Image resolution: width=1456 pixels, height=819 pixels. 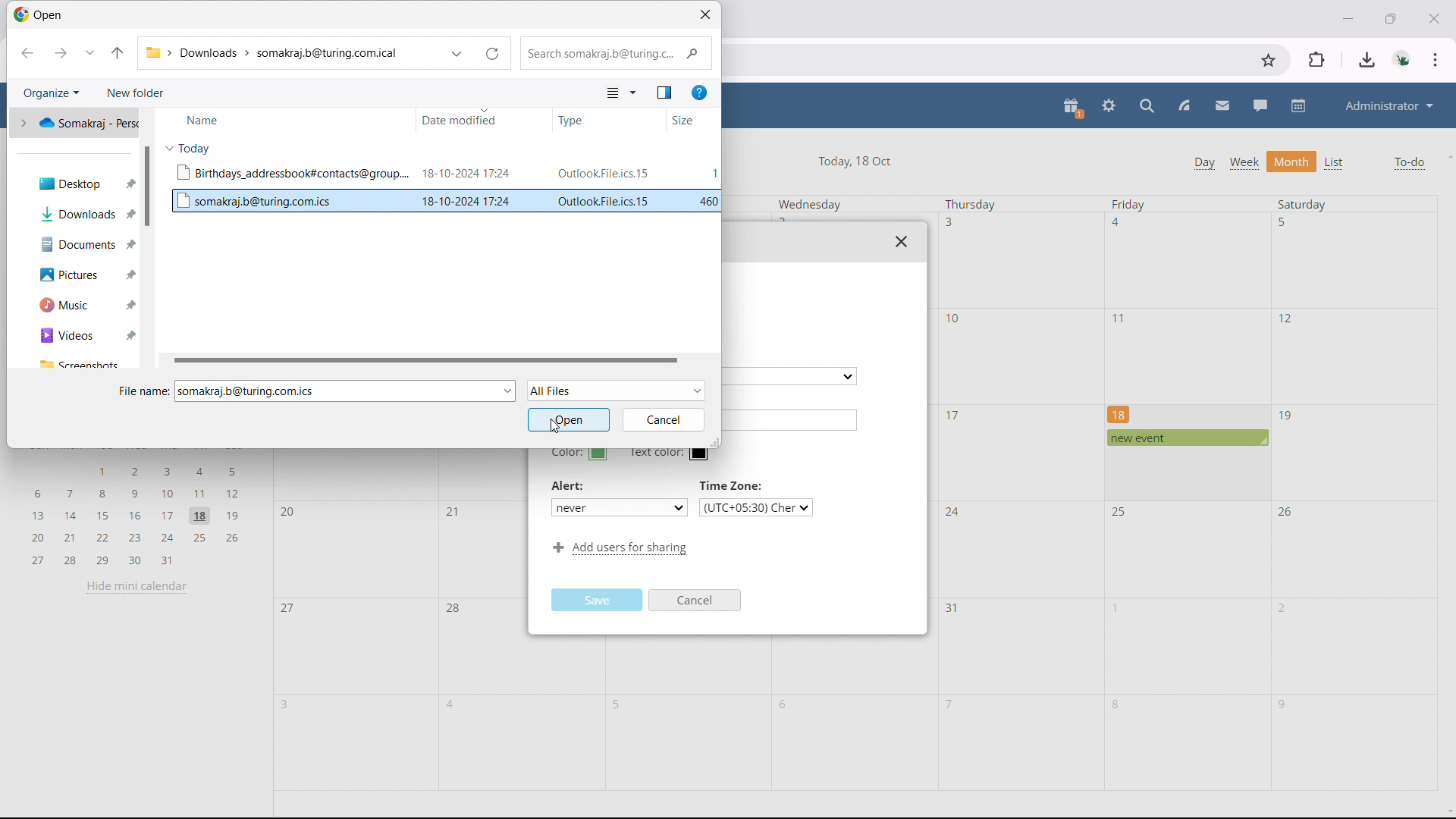 I want to click on 3, so click(x=949, y=221).